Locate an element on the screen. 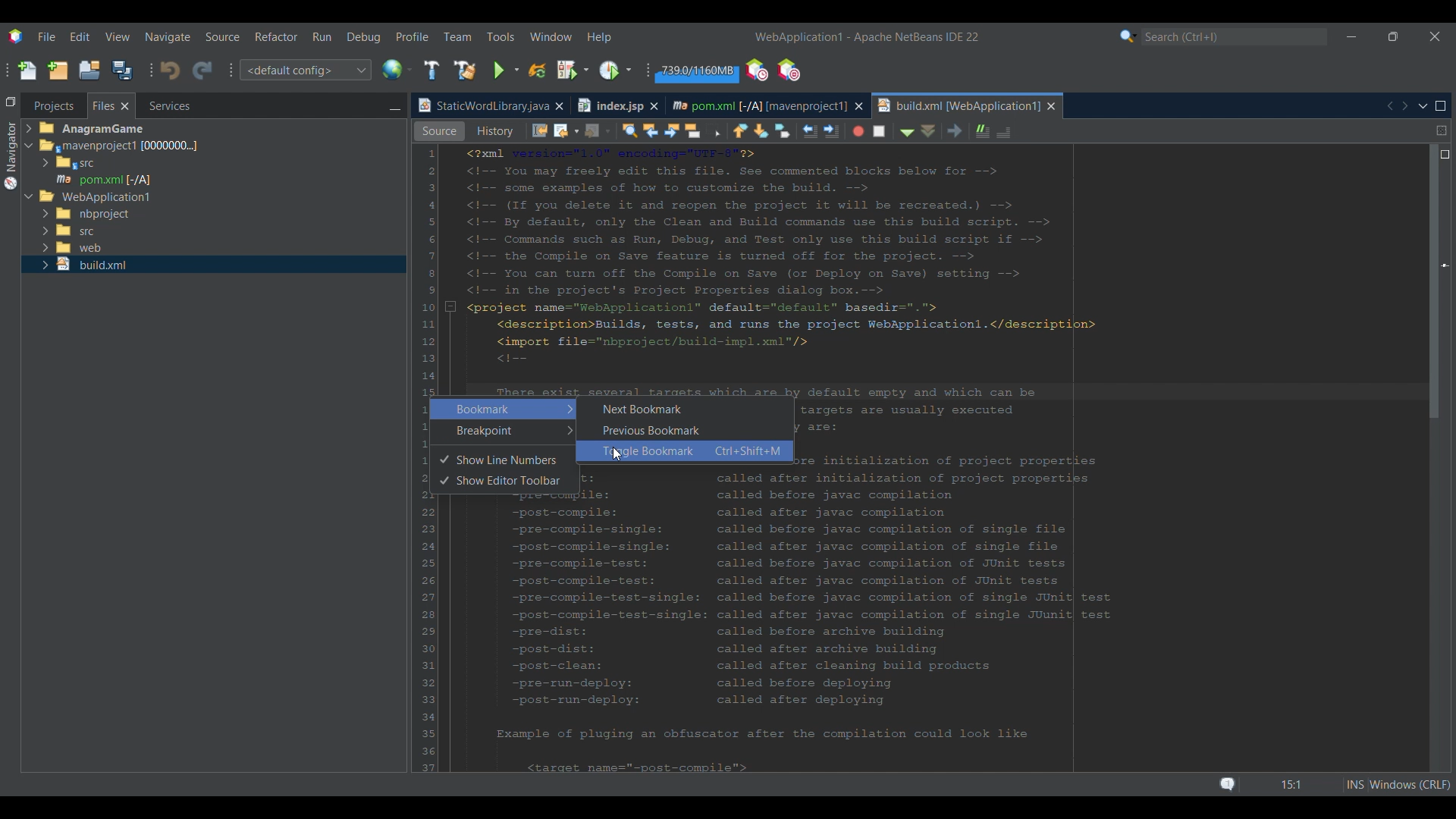 Image resolution: width=1456 pixels, height=819 pixels. Window menu is located at coordinates (551, 36).